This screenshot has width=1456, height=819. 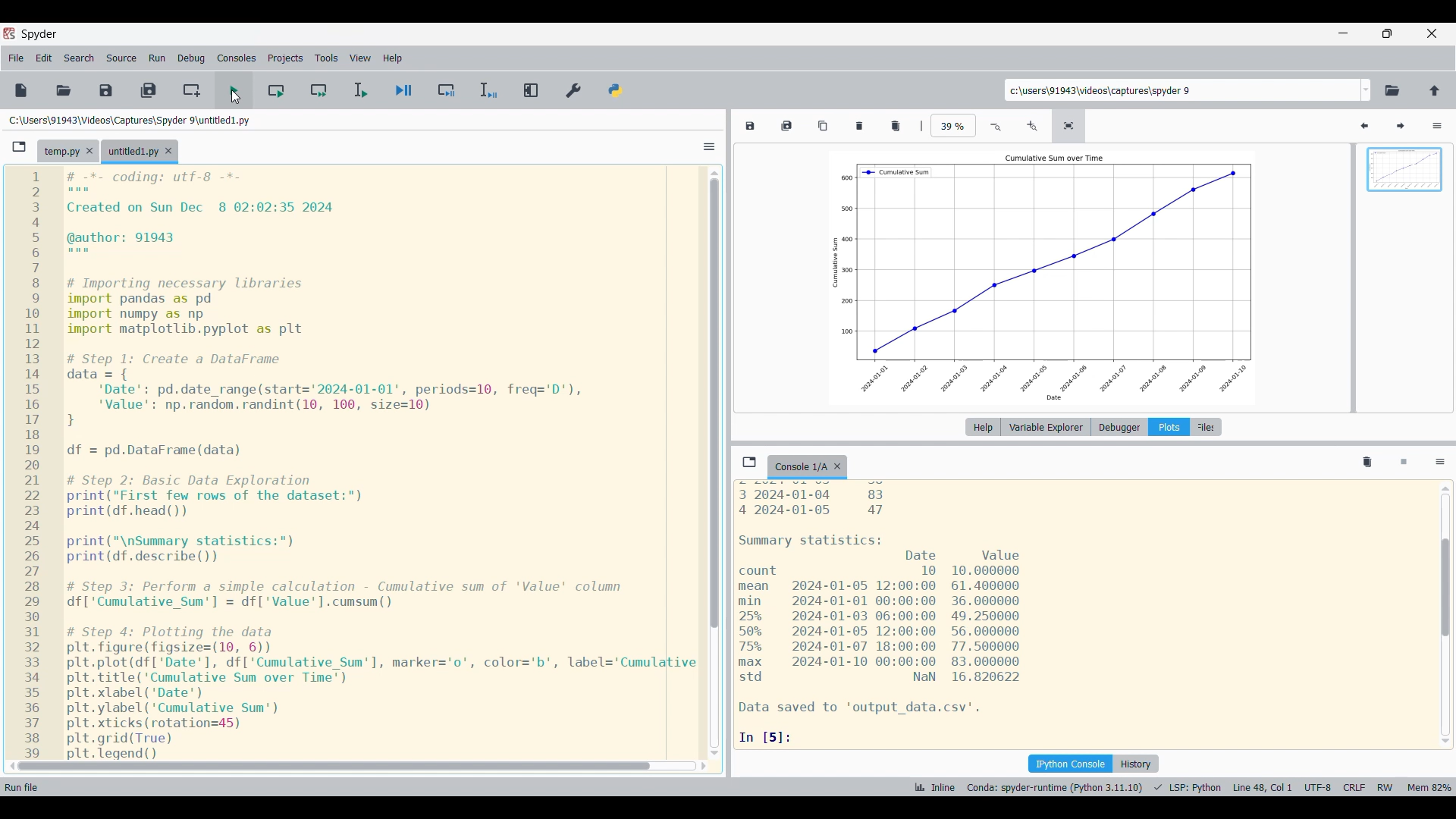 What do you see at coordinates (1367, 90) in the screenshot?
I see `Folder location options` at bounding box center [1367, 90].